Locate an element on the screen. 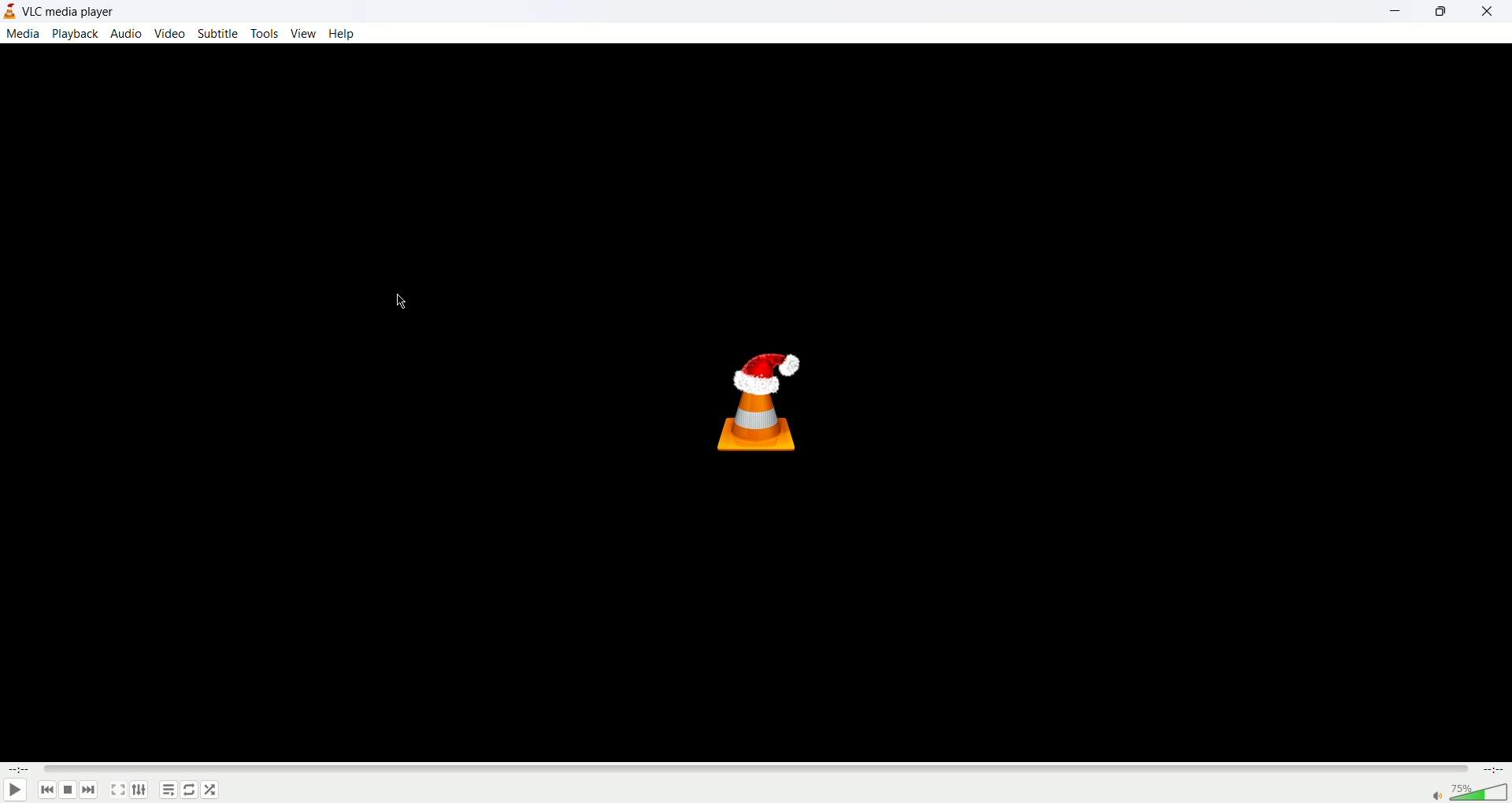  help is located at coordinates (345, 33).